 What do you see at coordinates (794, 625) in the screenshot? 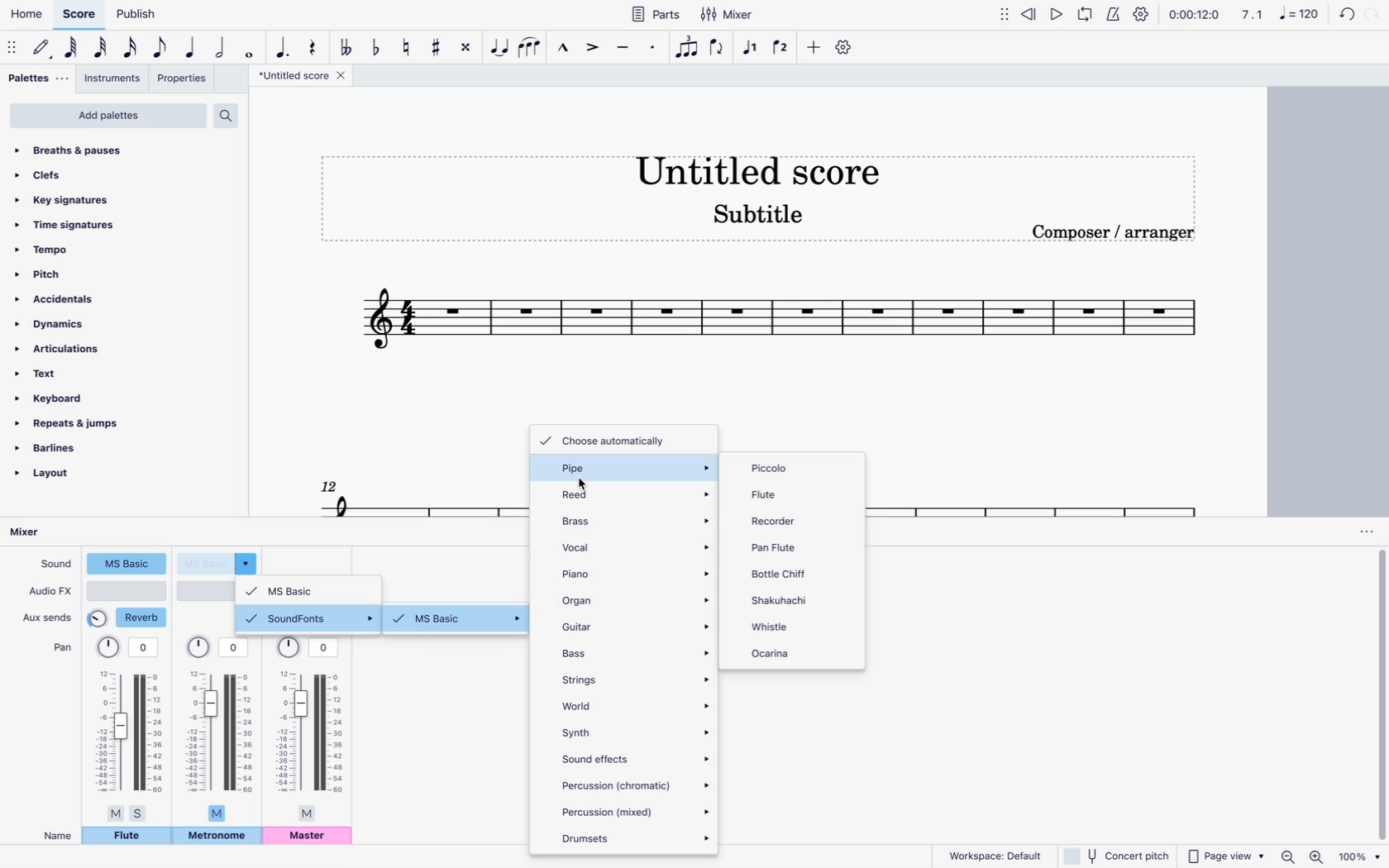
I see `whistle` at bounding box center [794, 625].